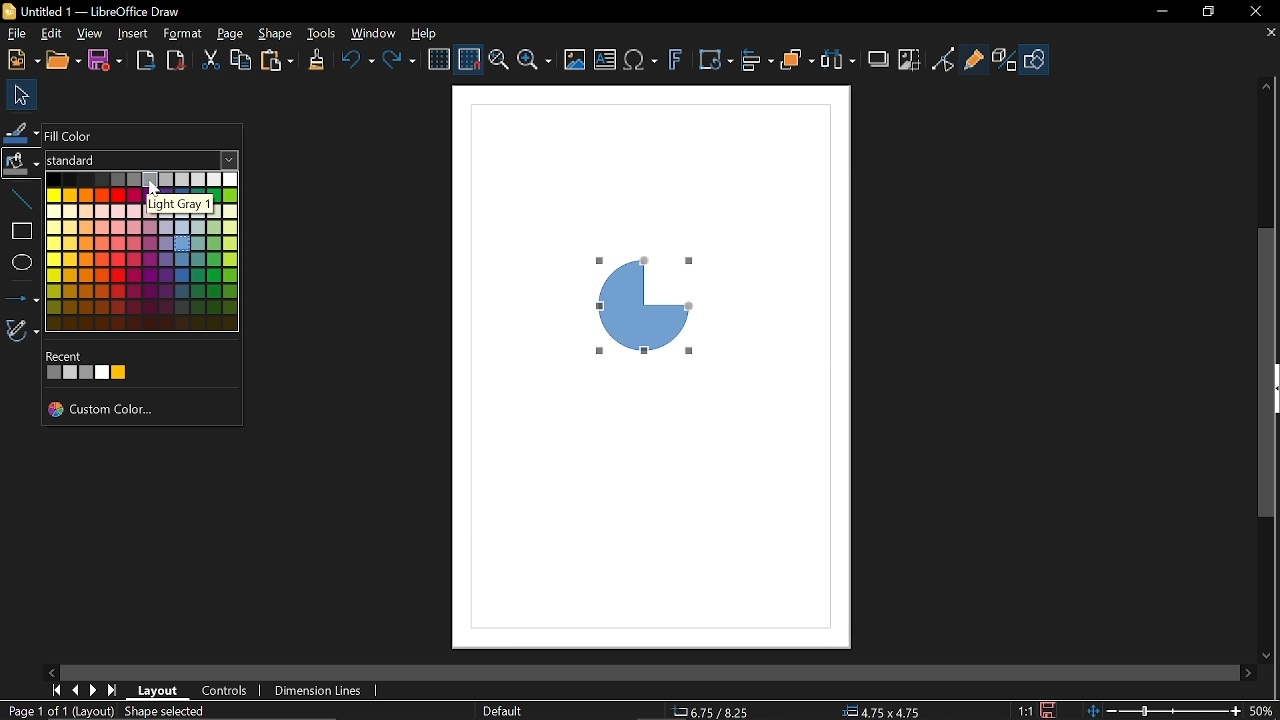 The height and width of the screenshot is (720, 1280). Describe the element at coordinates (427, 34) in the screenshot. I see `help` at that location.